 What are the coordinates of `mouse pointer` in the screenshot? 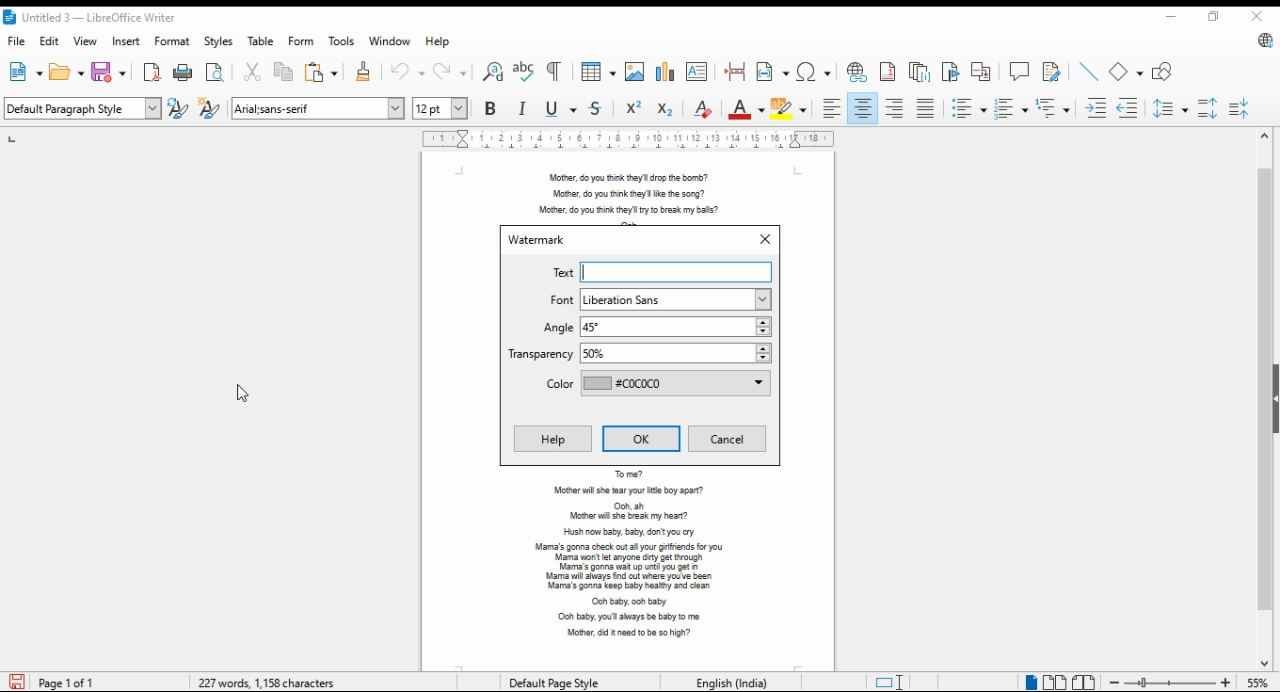 It's located at (240, 394).